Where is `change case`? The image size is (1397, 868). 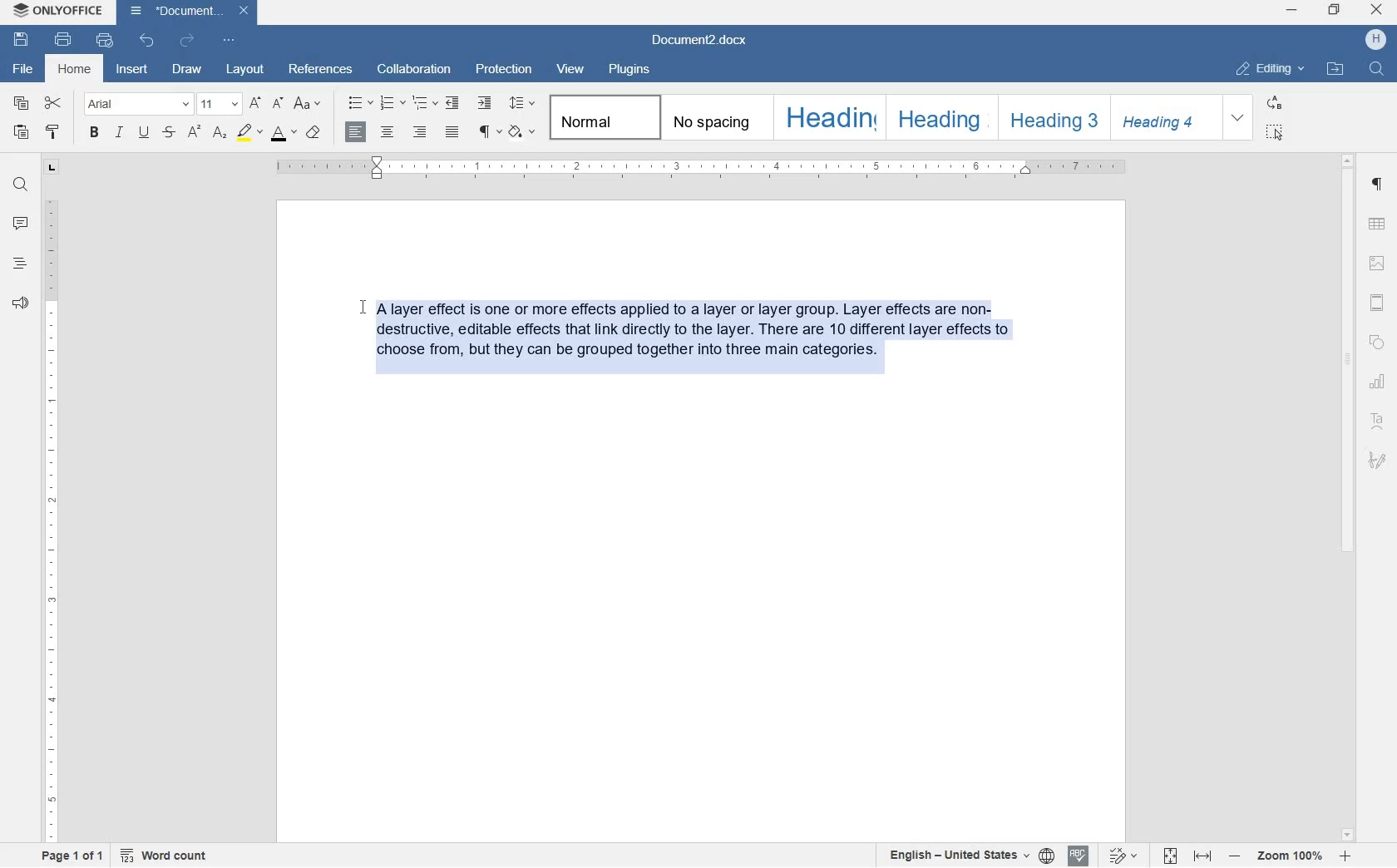 change case is located at coordinates (309, 104).